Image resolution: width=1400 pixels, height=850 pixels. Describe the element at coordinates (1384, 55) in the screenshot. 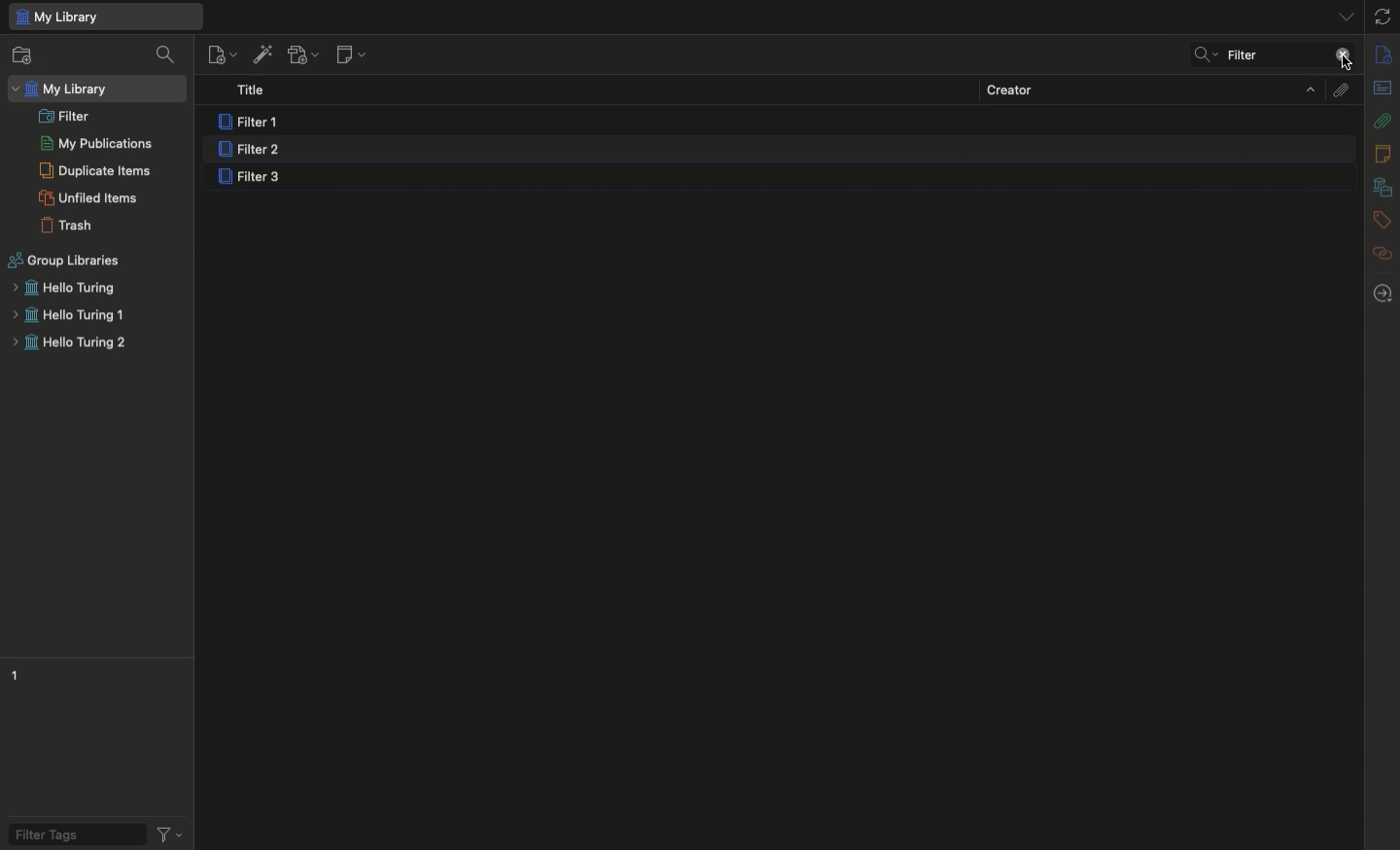

I see `Info` at that location.